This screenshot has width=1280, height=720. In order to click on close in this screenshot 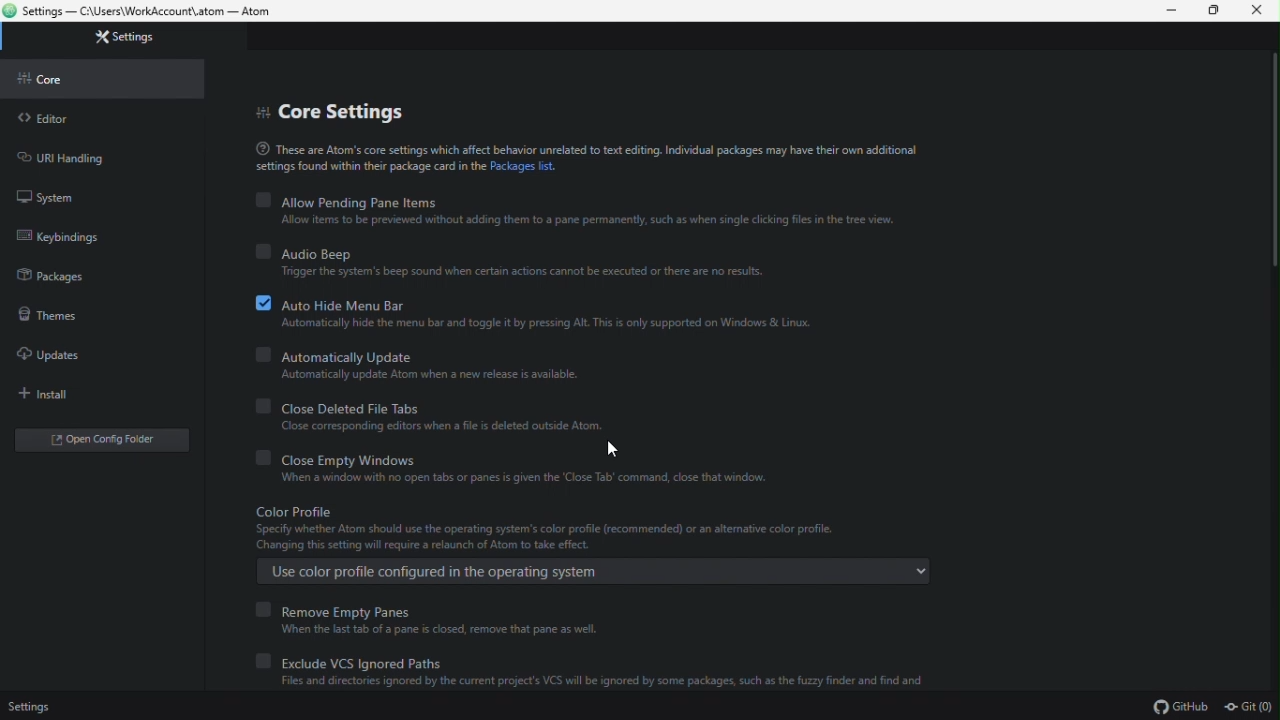, I will do `click(1258, 11)`.